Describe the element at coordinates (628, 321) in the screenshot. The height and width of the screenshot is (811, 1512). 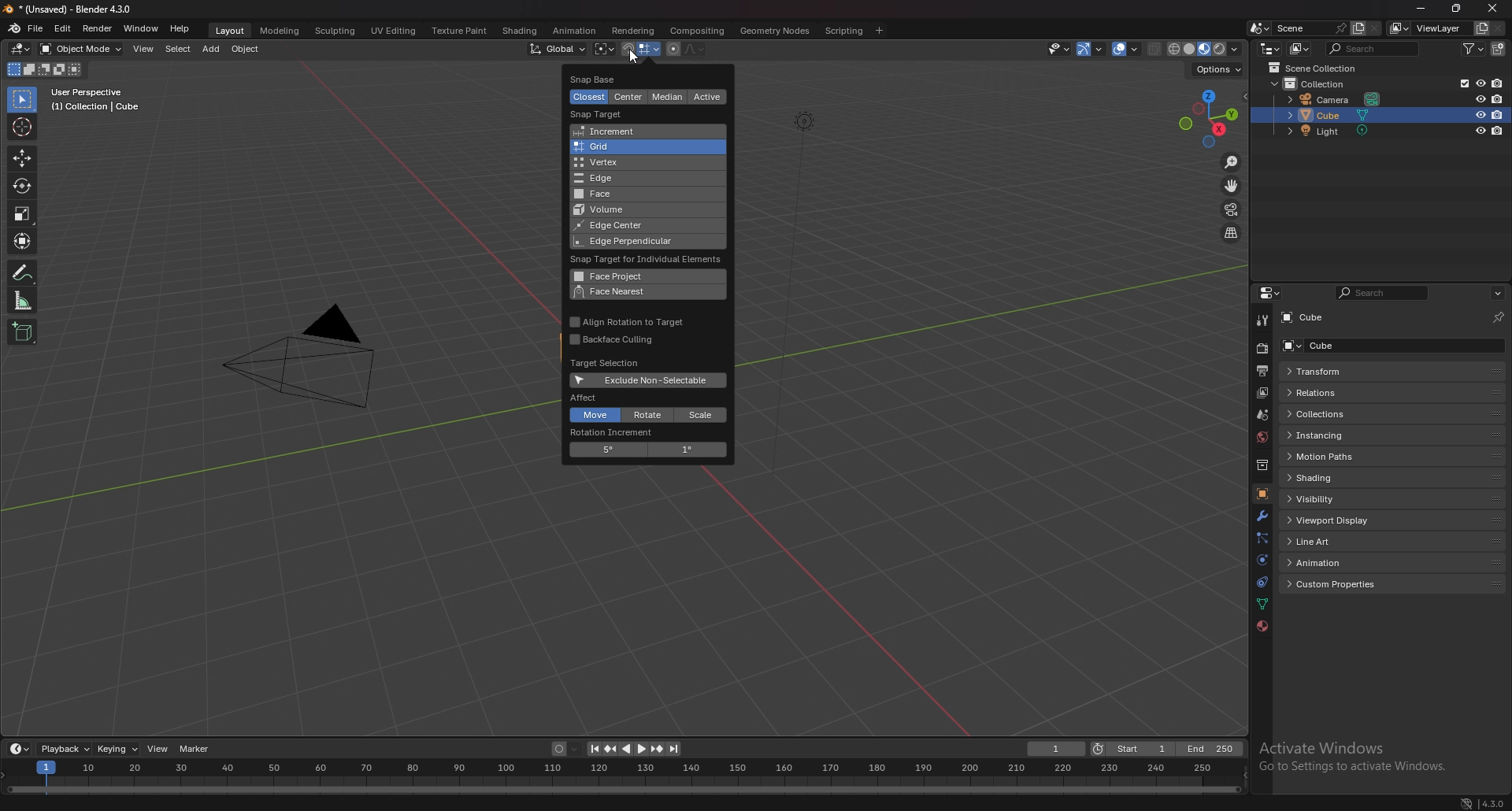
I see `align rotation to target` at that location.